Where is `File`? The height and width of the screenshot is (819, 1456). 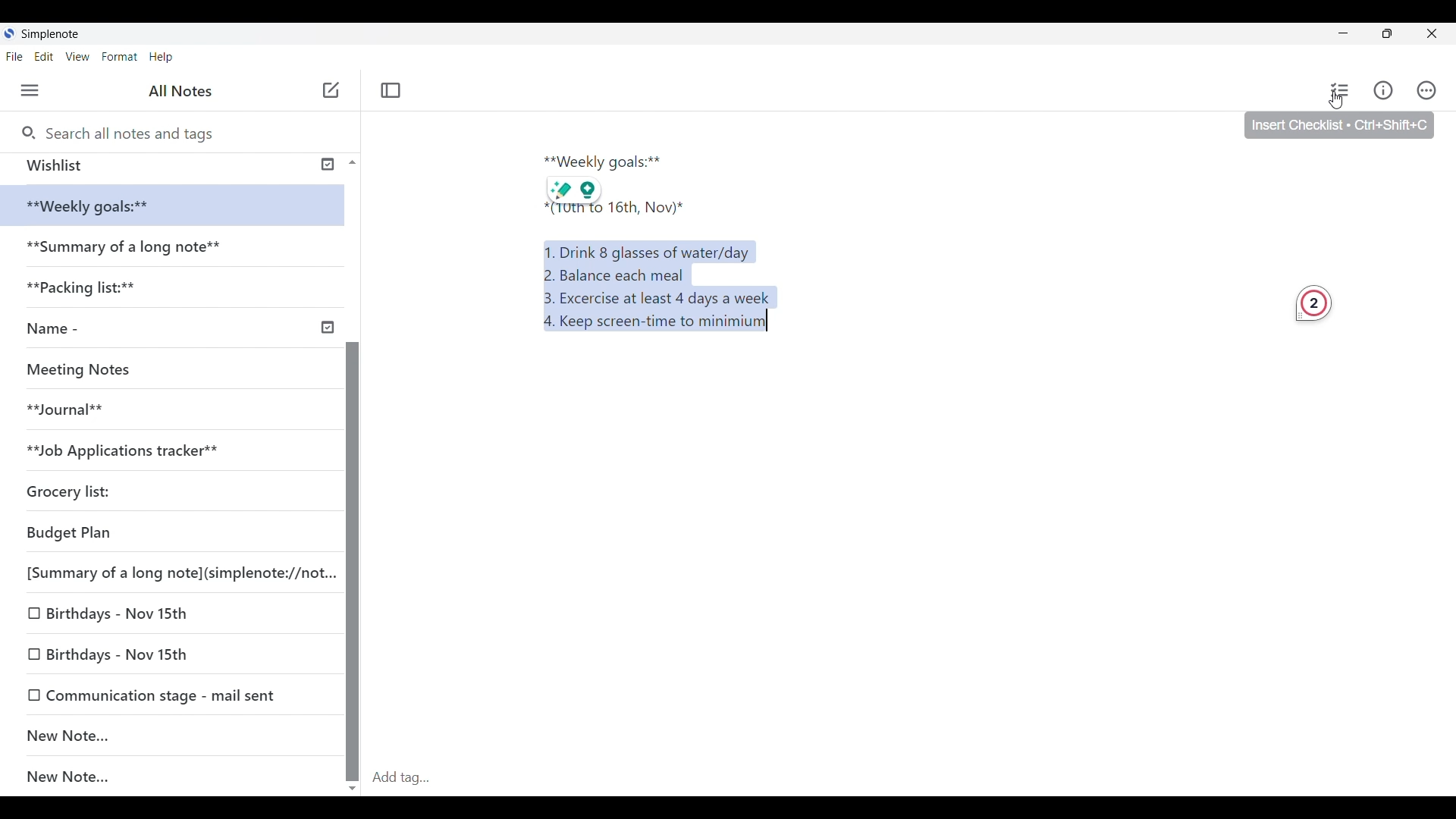
File is located at coordinates (17, 56).